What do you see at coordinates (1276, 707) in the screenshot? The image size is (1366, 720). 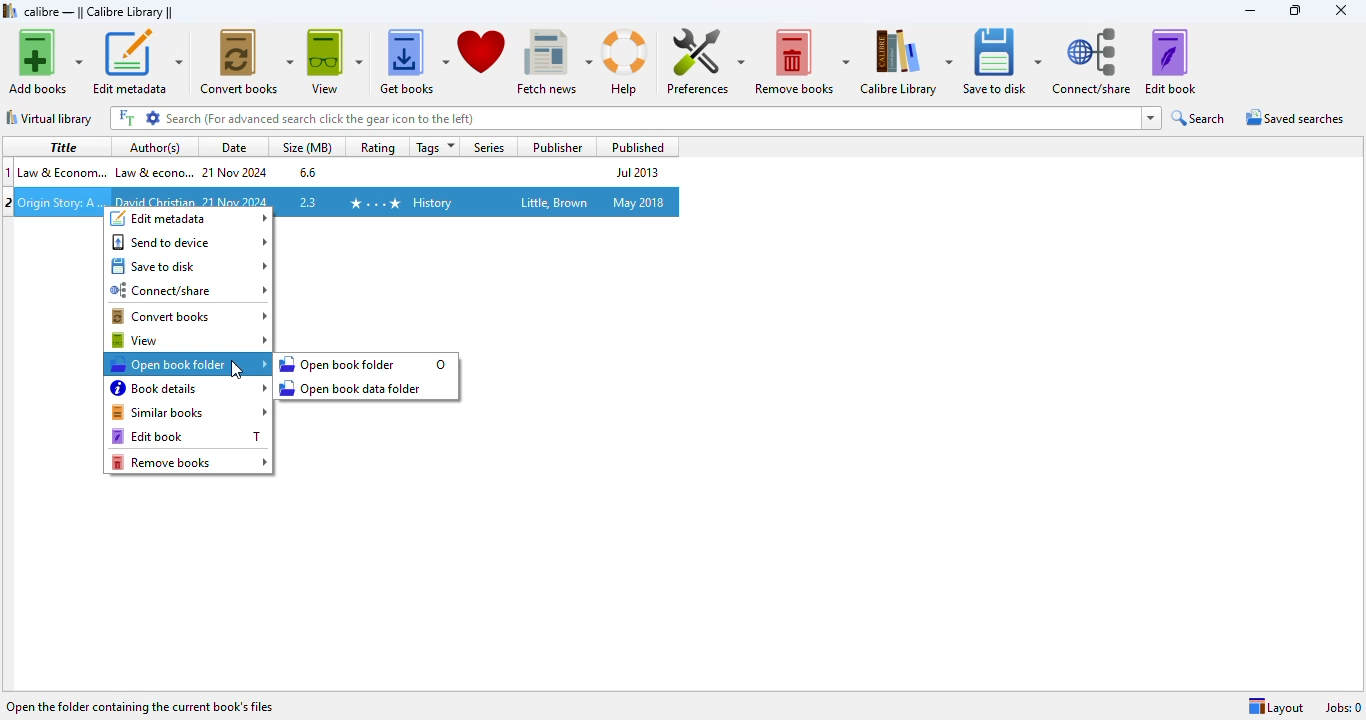 I see `layout` at bounding box center [1276, 707].